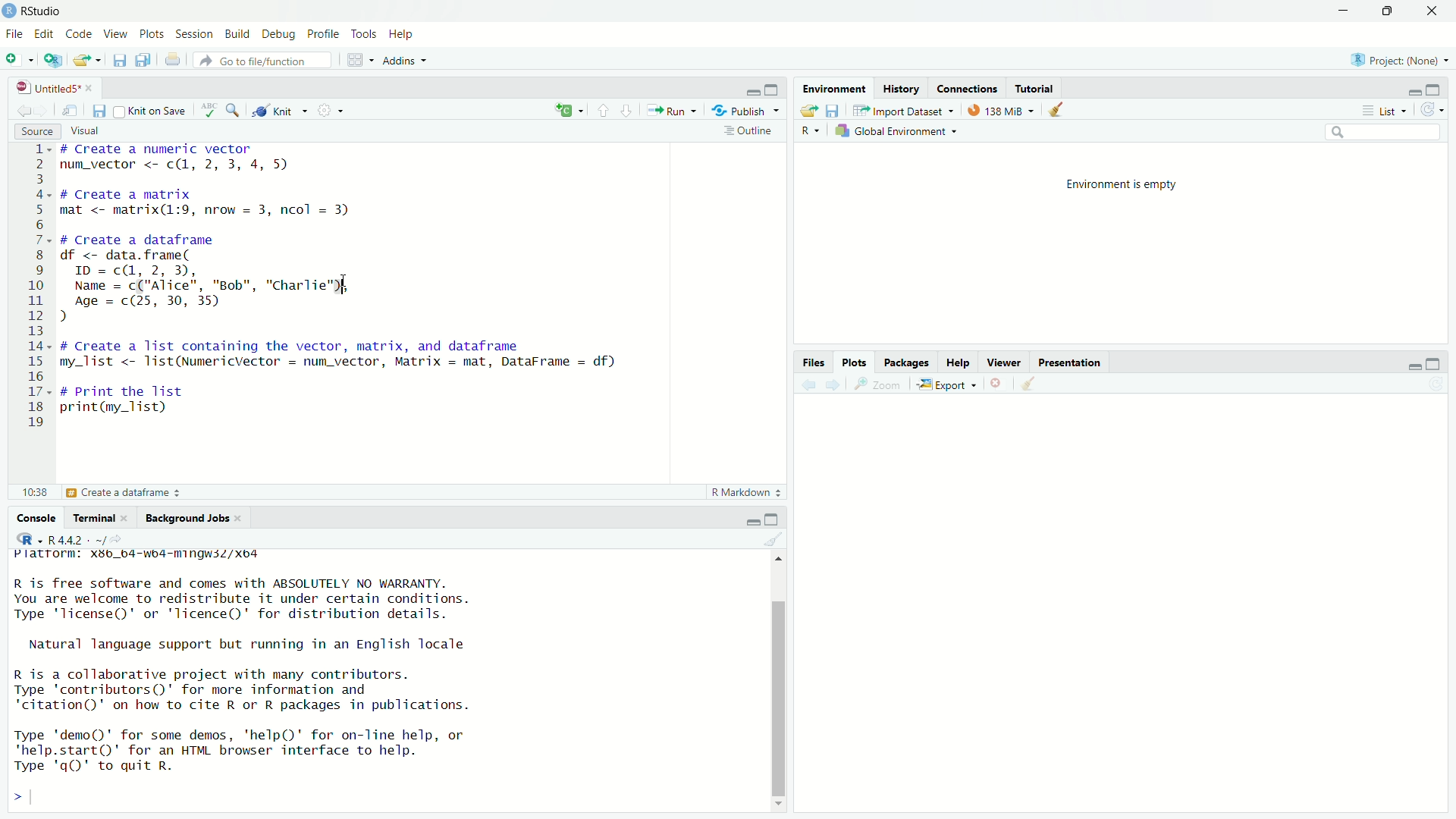  I want to click on Visual, so click(93, 129).